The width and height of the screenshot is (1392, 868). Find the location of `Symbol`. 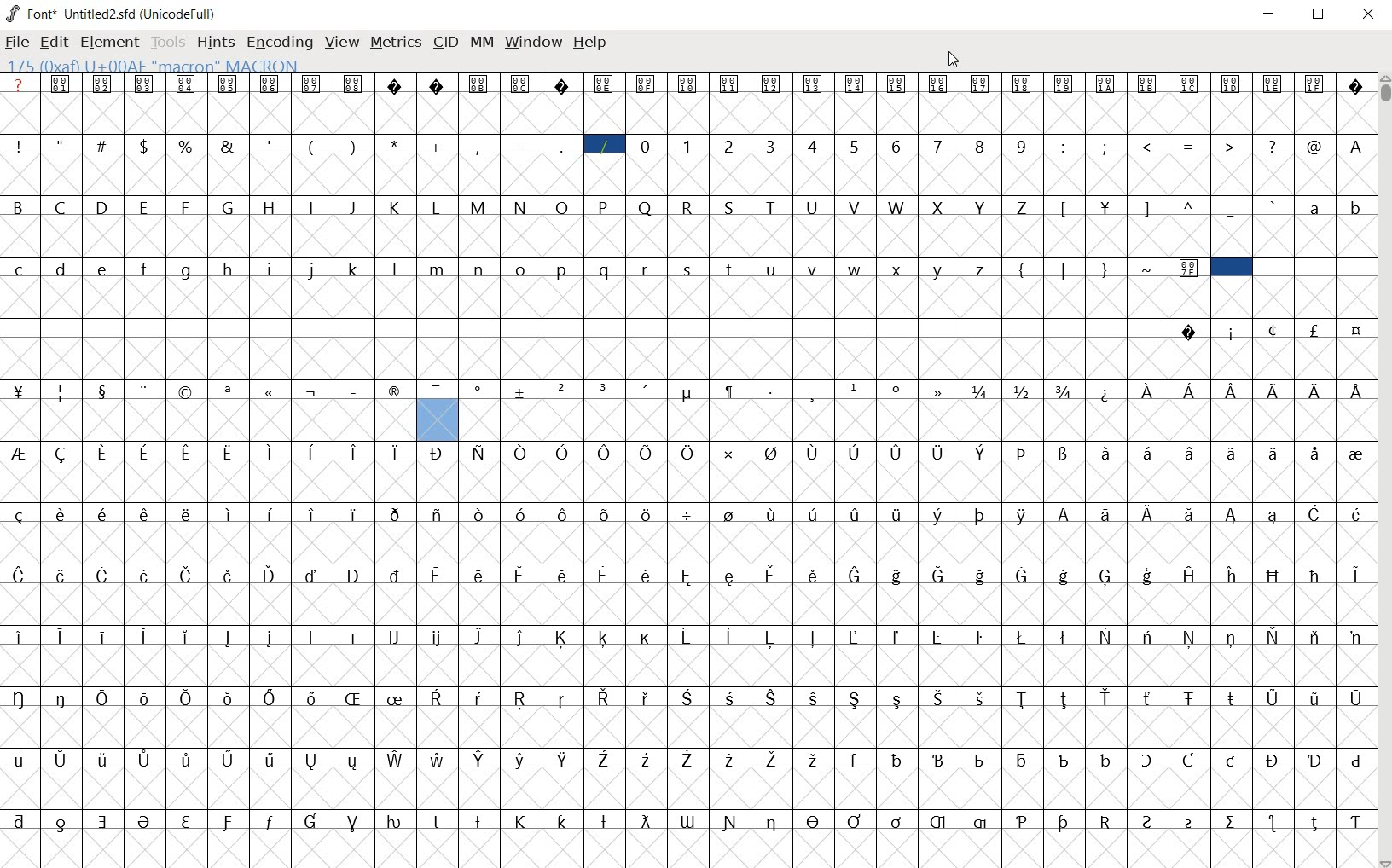

Symbol is located at coordinates (189, 575).